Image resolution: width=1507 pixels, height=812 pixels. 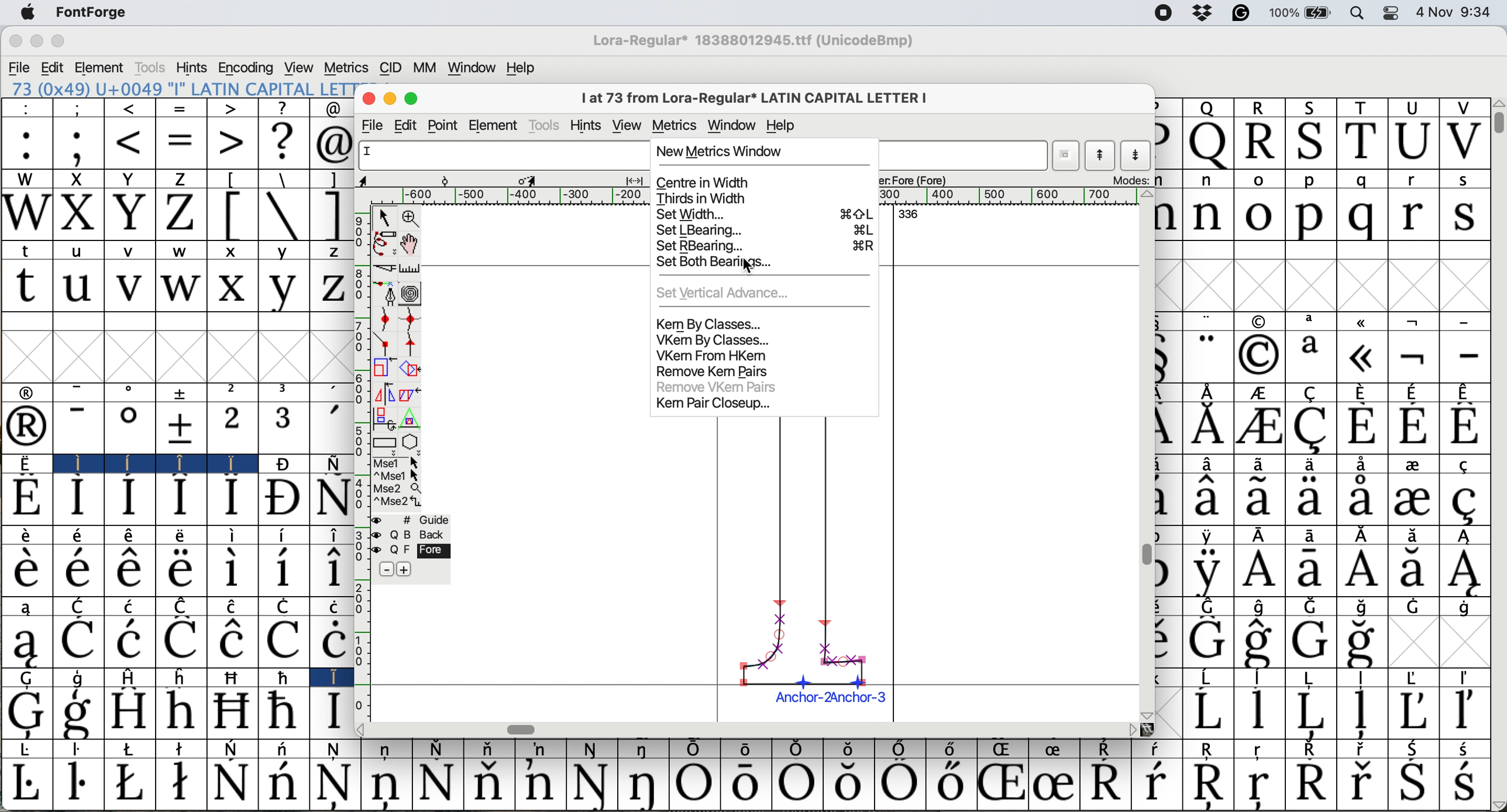 I want to click on Symbol, so click(x=487, y=749).